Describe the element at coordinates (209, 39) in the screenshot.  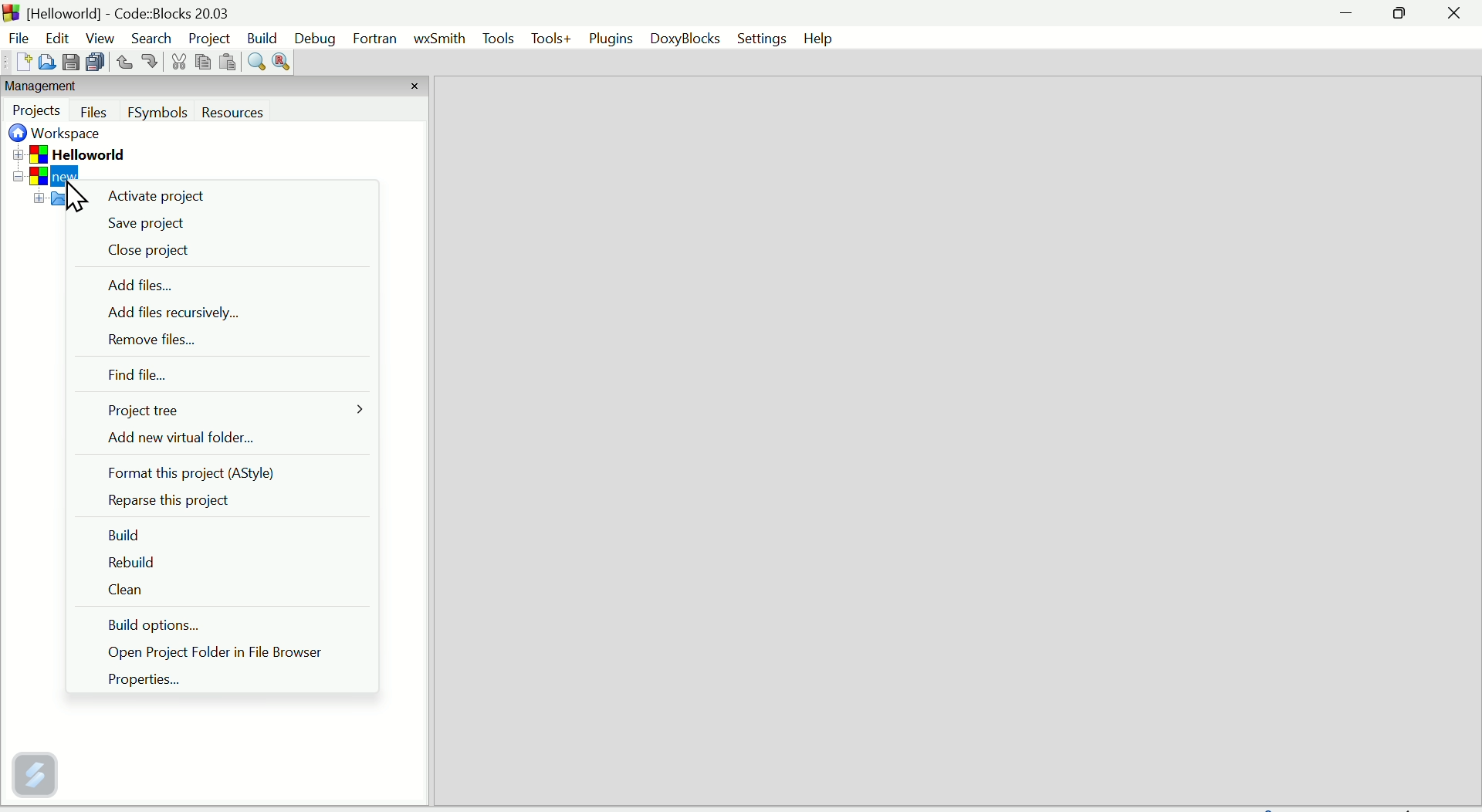
I see `Project` at that location.